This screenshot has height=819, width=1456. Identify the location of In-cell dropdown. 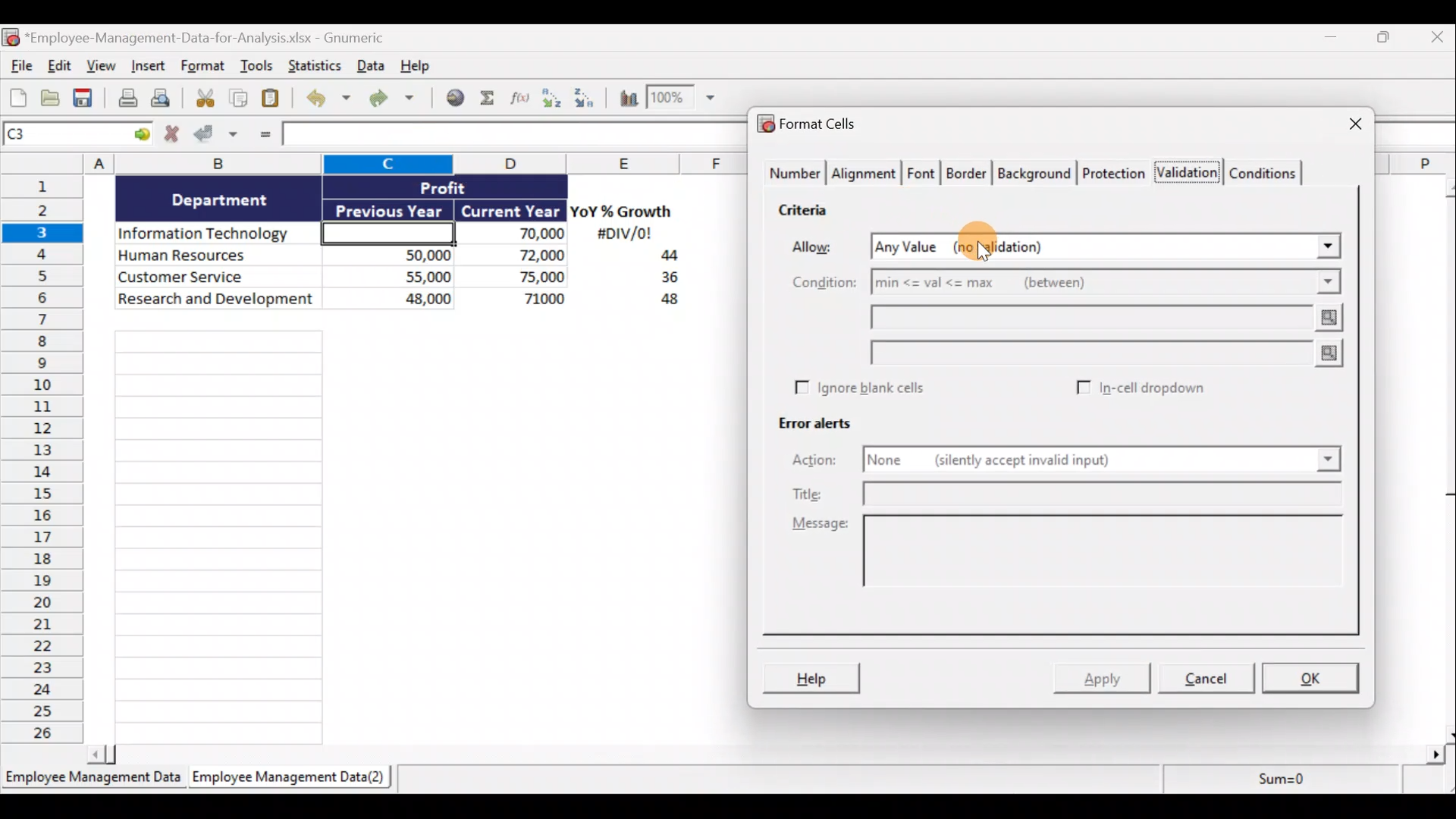
(1139, 389).